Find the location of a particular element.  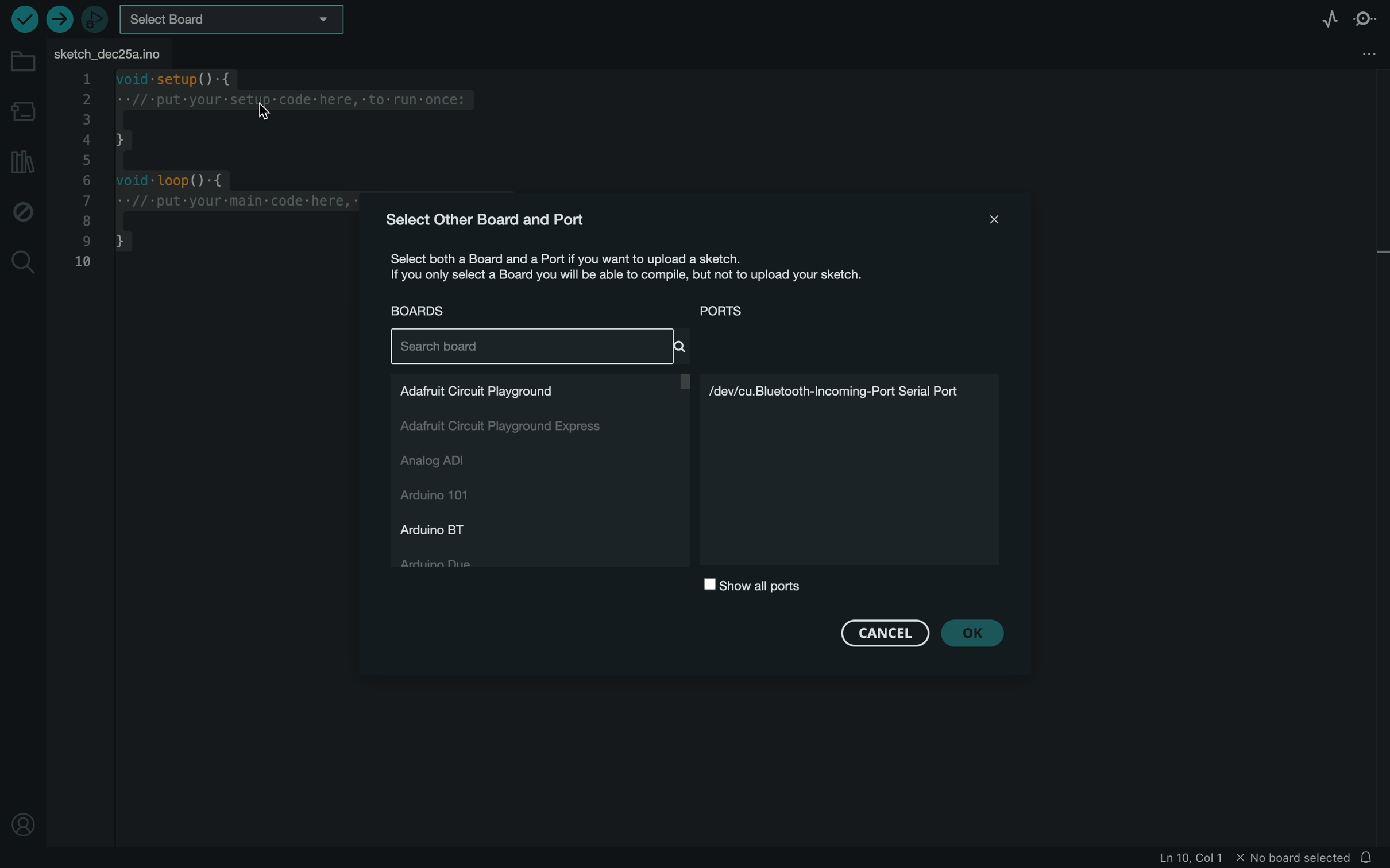

cancel is located at coordinates (885, 630).